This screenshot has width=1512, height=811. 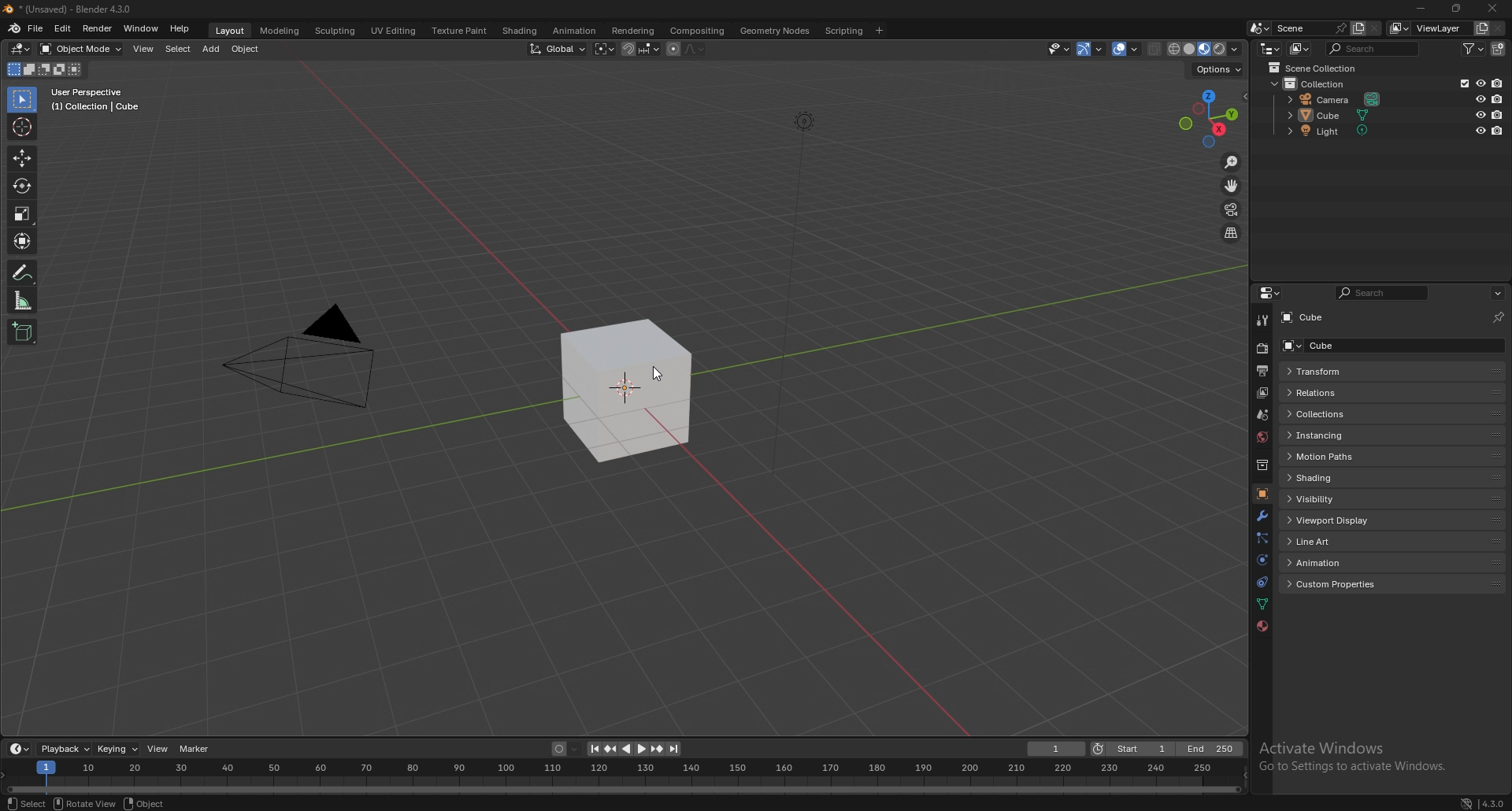 I want to click on viewport display, so click(x=1339, y=520).